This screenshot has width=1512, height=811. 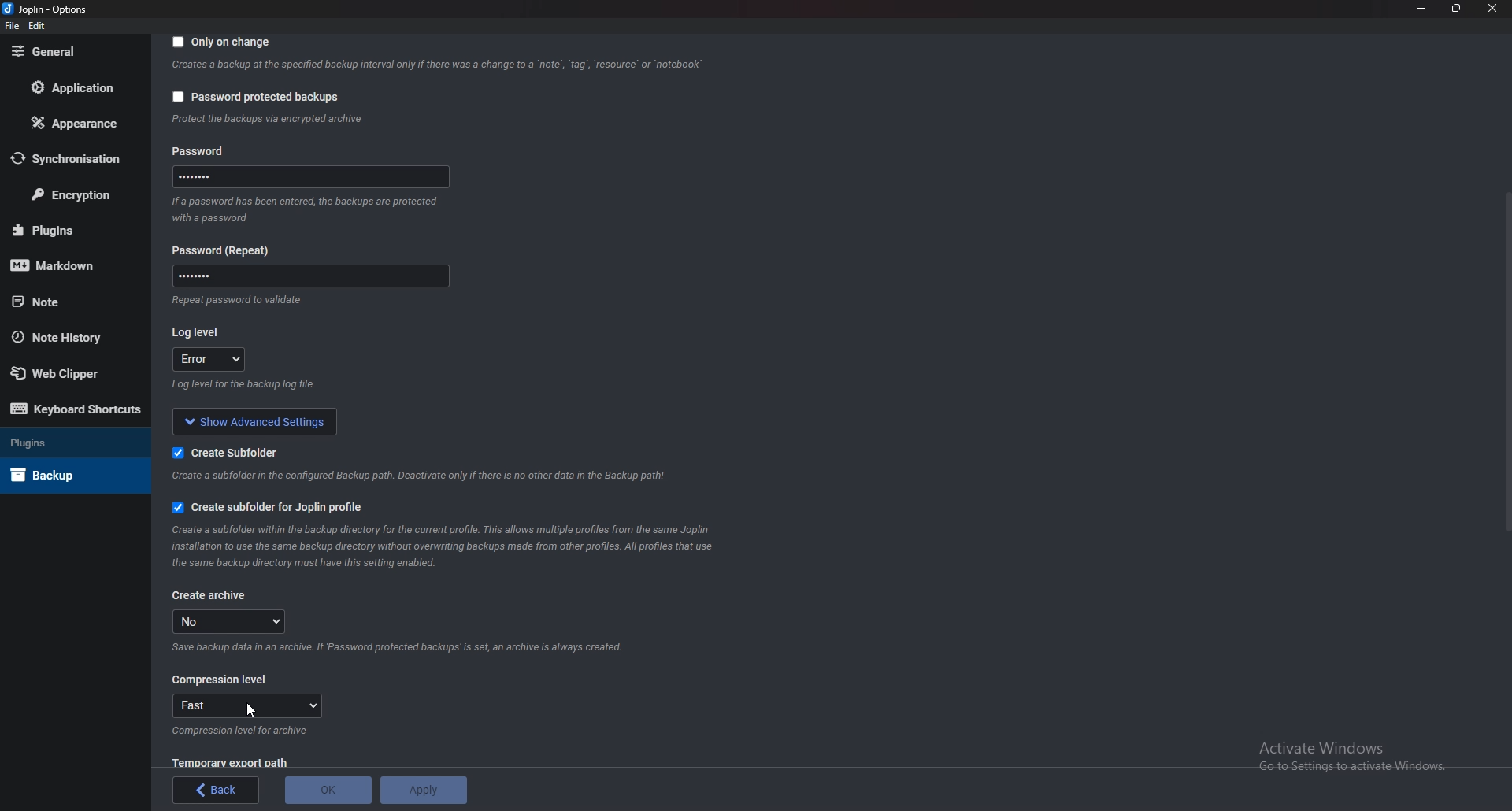 What do you see at coordinates (282, 505) in the screenshot?
I see `Create subfolder for joplin profile` at bounding box center [282, 505].